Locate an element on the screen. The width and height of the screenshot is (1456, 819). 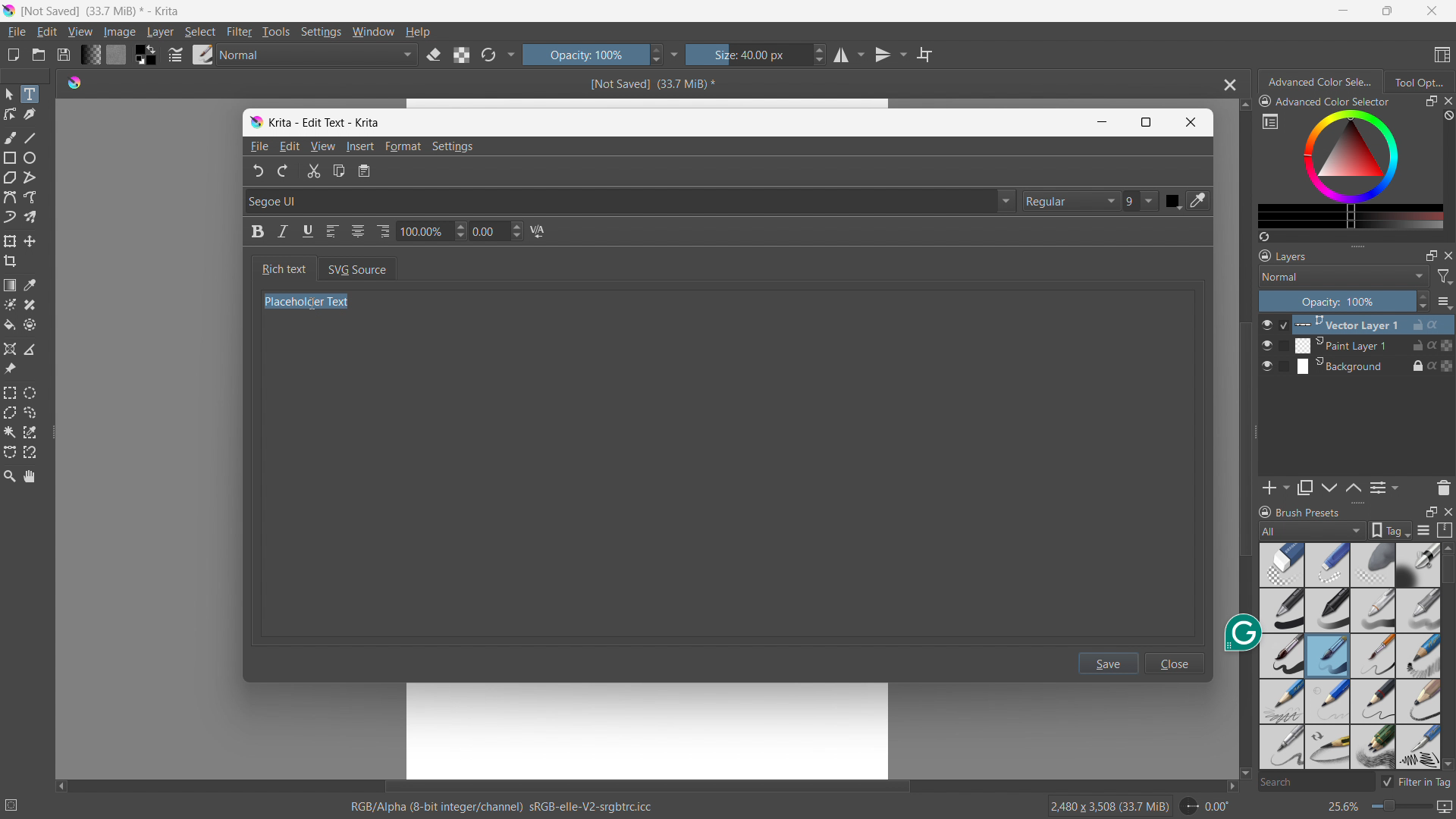
close is located at coordinates (1176, 663).